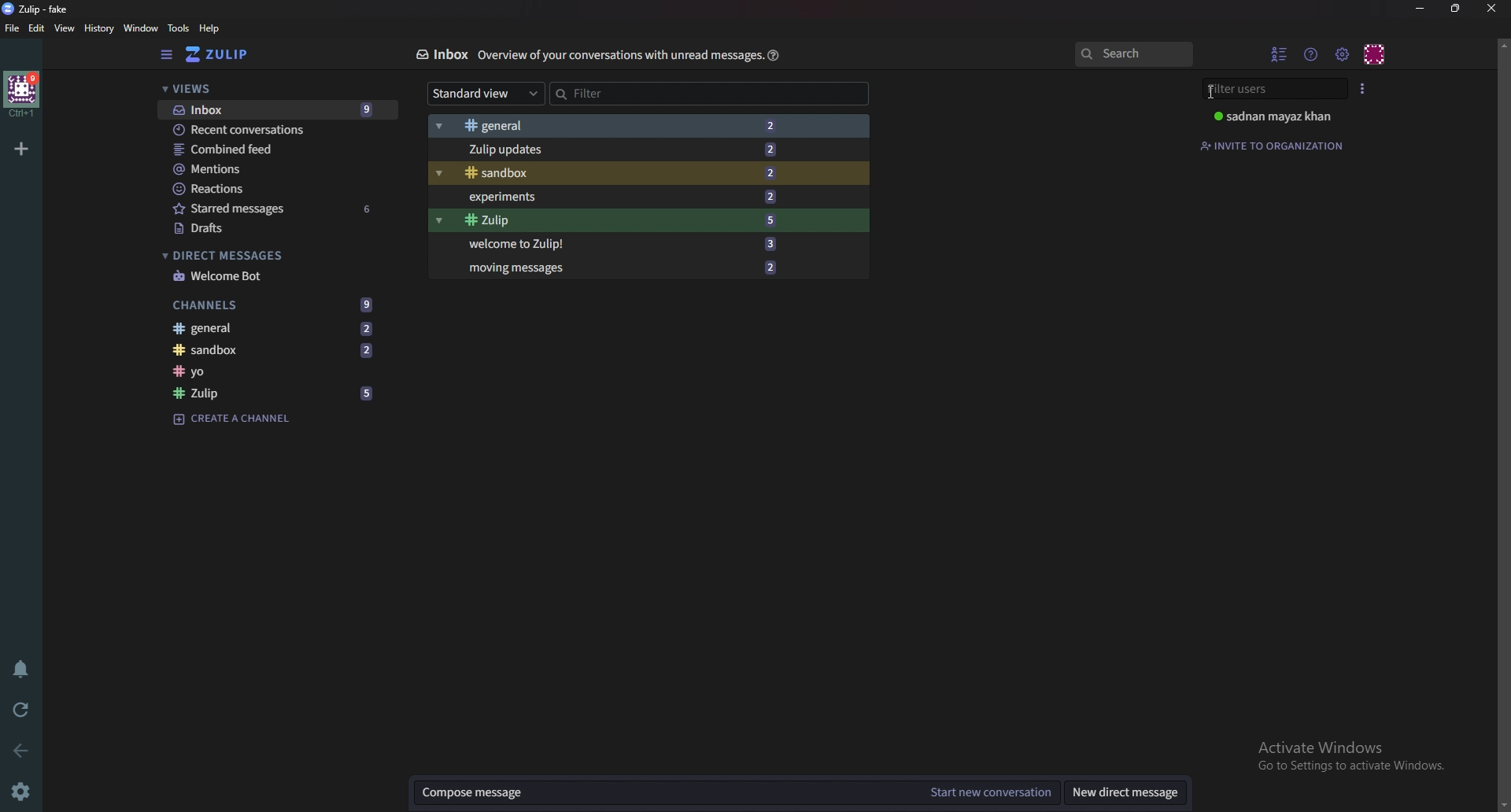  Describe the element at coordinates (178, 28) in the screenshot. I see `Tools` at that location.